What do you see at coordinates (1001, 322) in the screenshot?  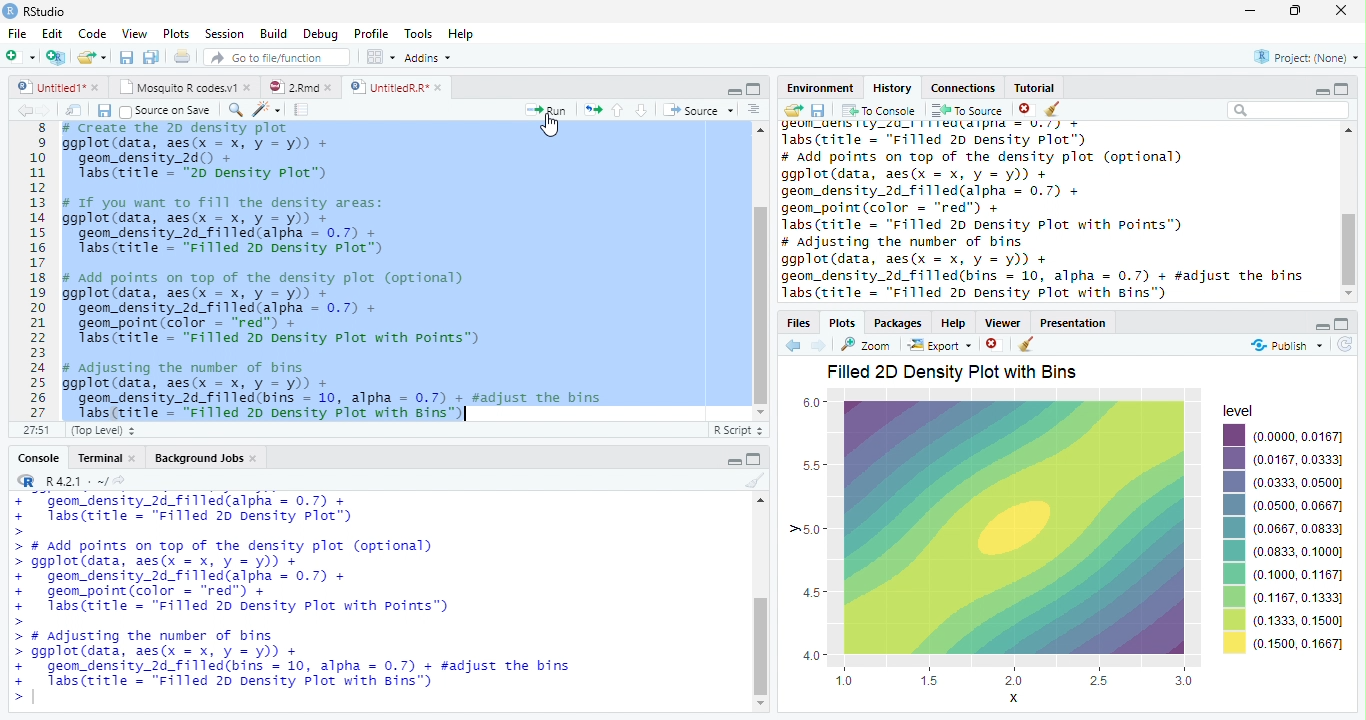 I see `Viewer` at bounding box center [1001, 322].